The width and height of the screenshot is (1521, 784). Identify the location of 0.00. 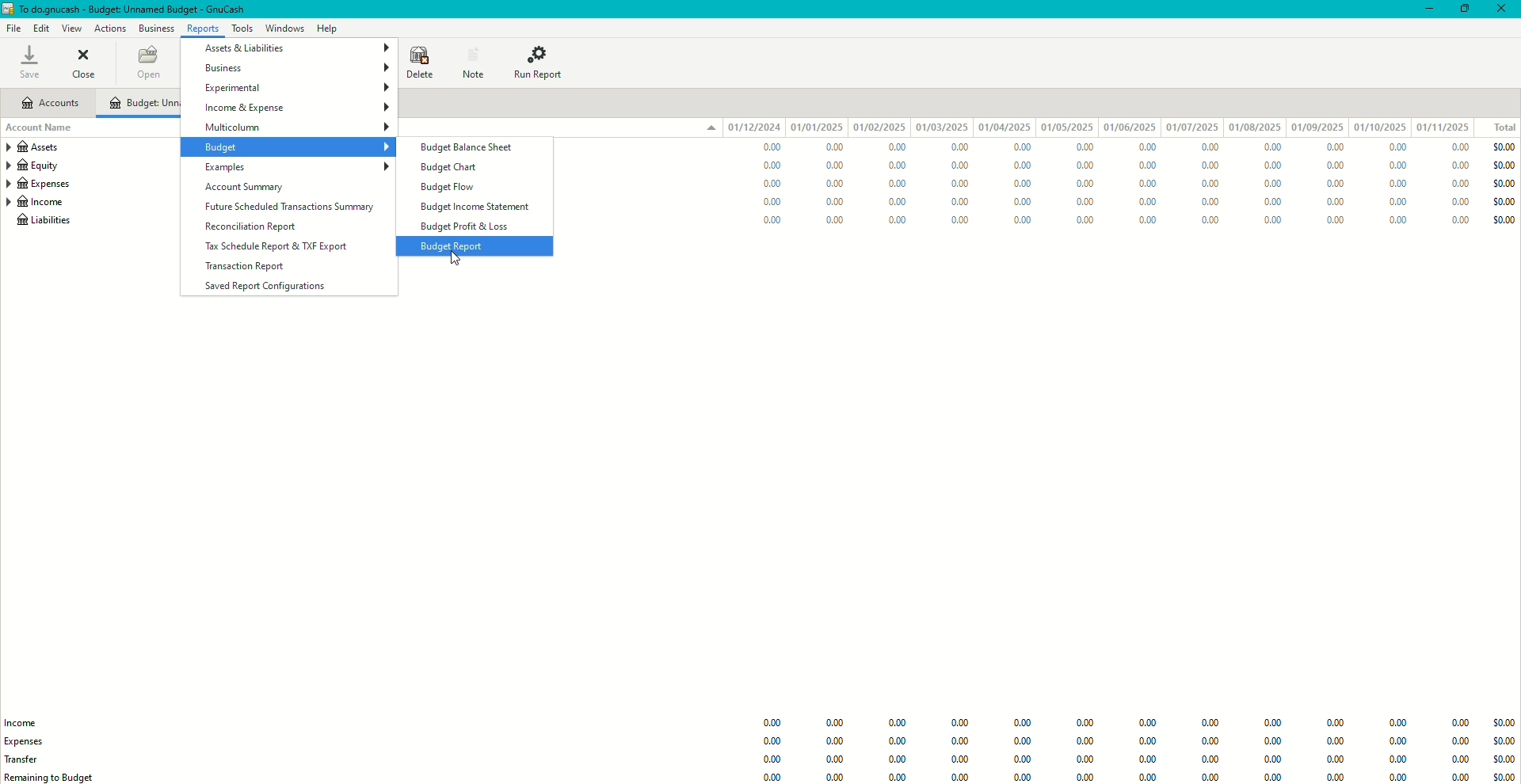
(1147, 199).